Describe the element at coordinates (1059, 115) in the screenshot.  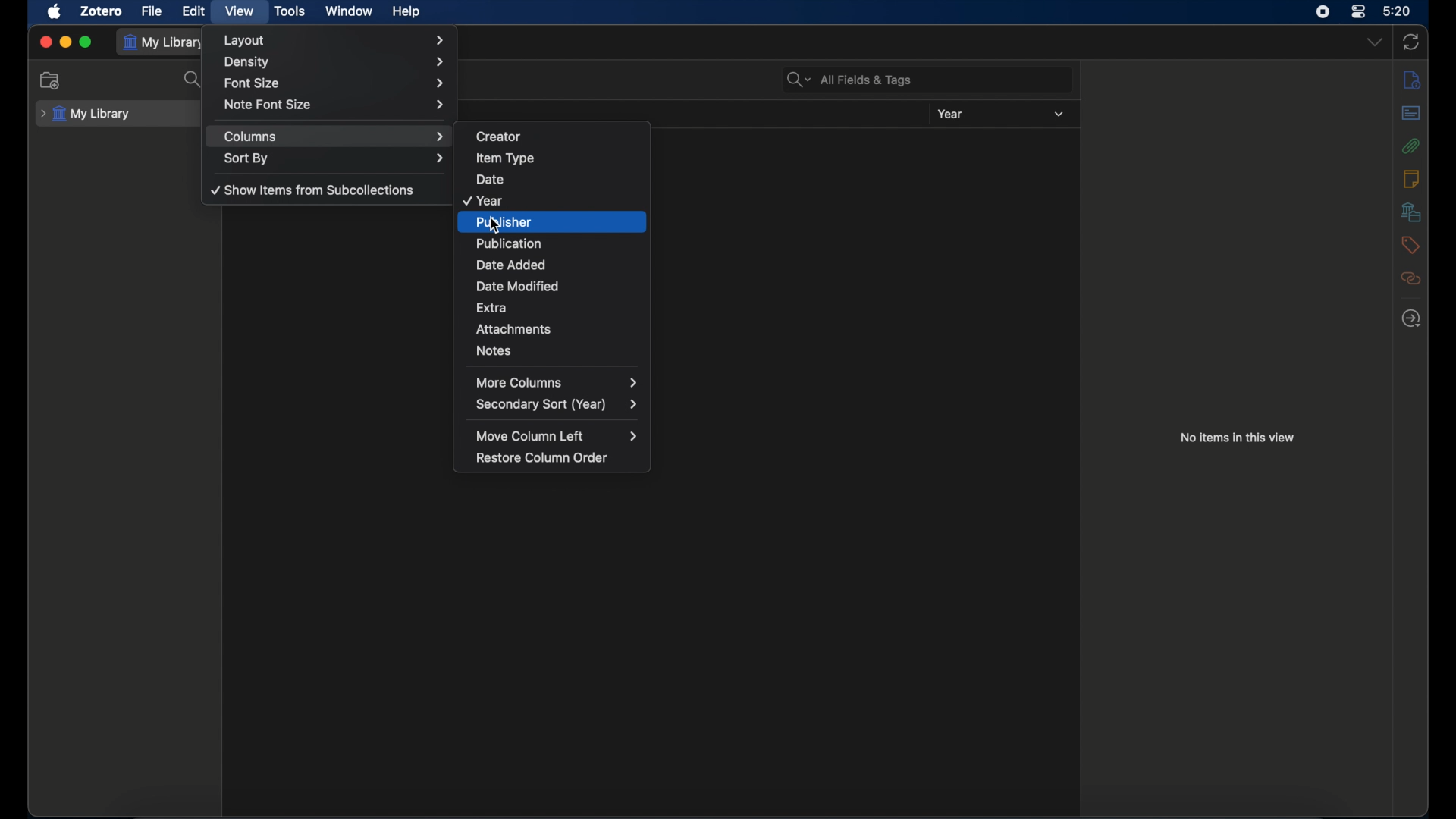
I see `year drop-down menu` at that location.